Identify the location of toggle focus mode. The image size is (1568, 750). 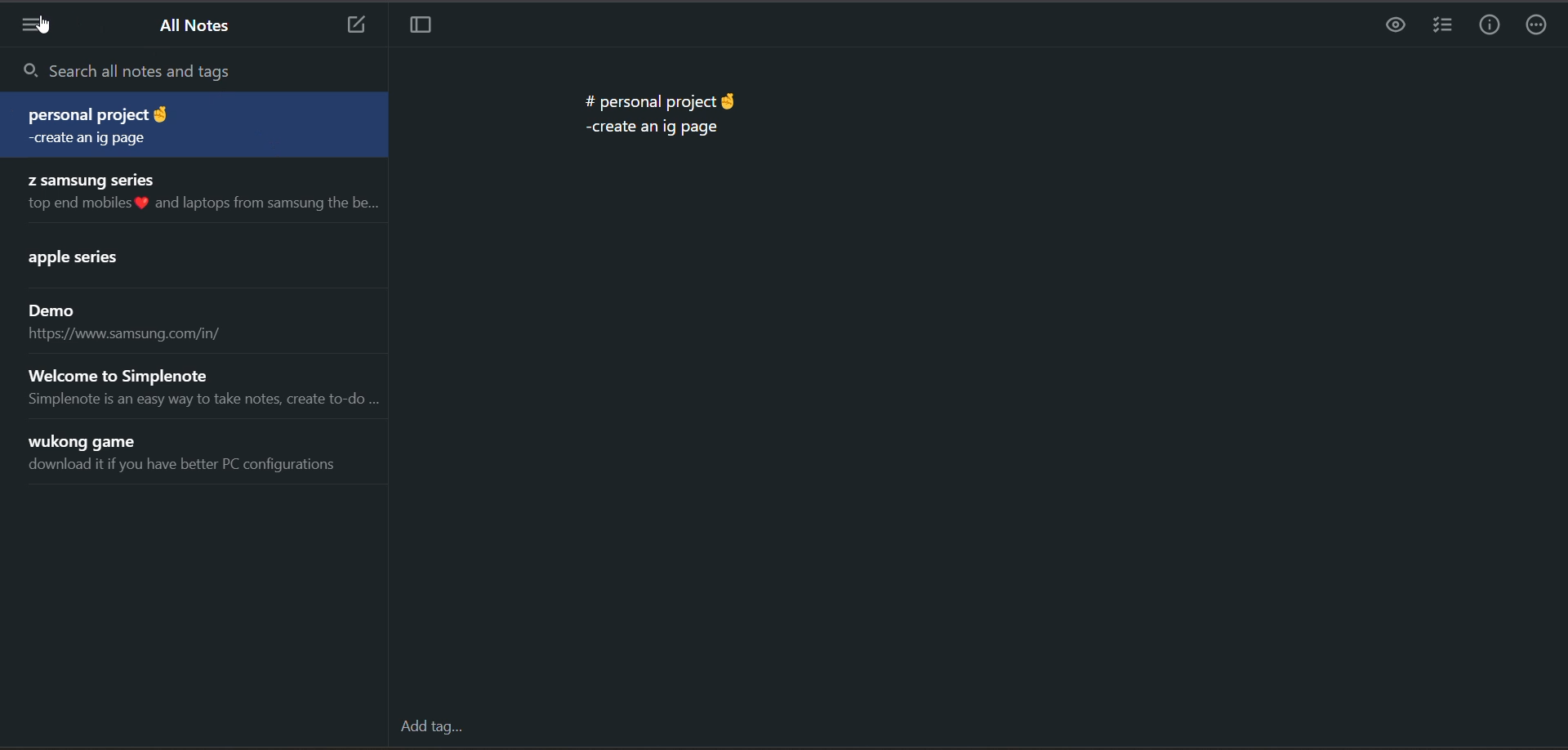
(421, 25).